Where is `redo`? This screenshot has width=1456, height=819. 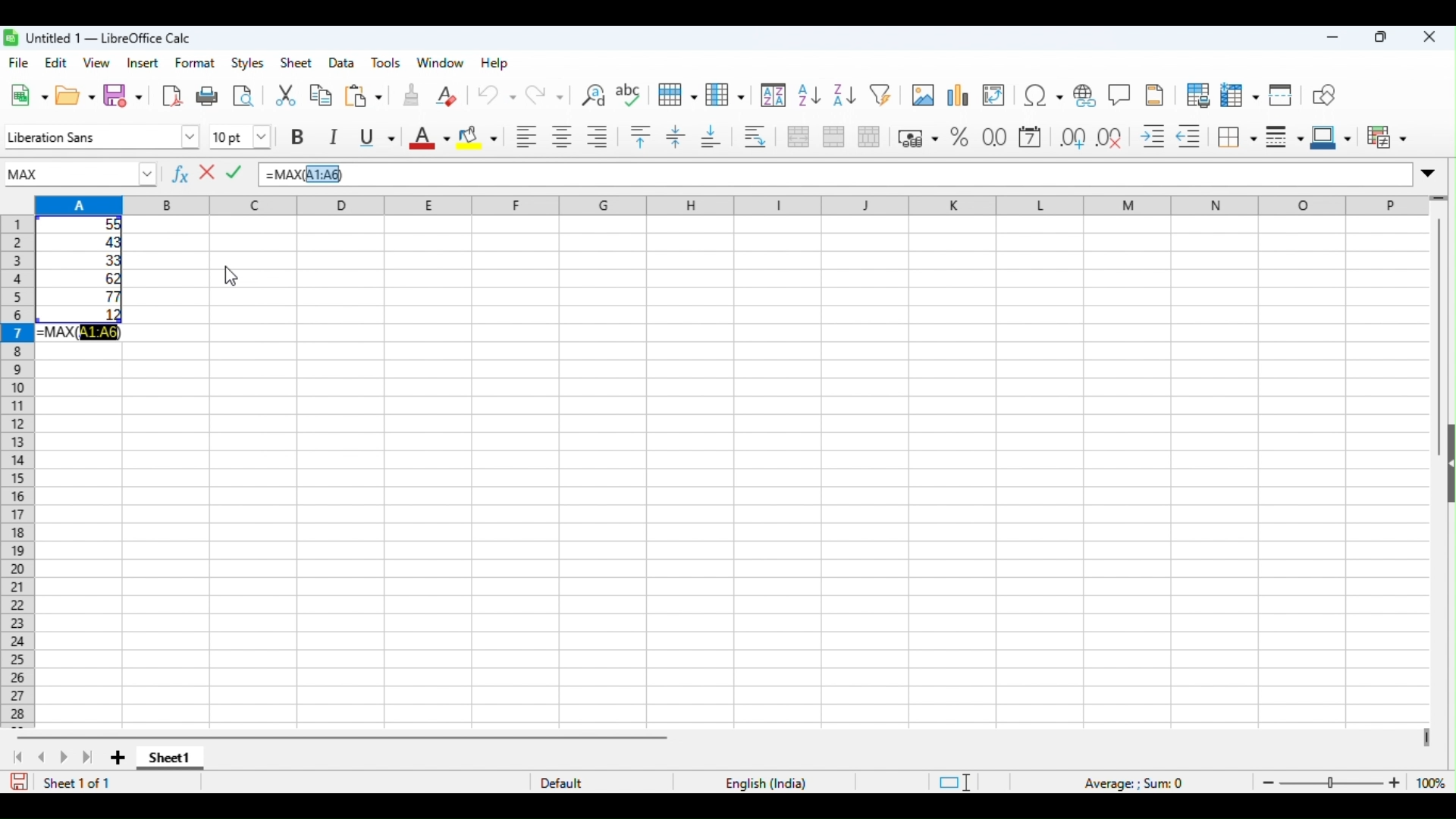 redo is located at coordinates (547, 96).